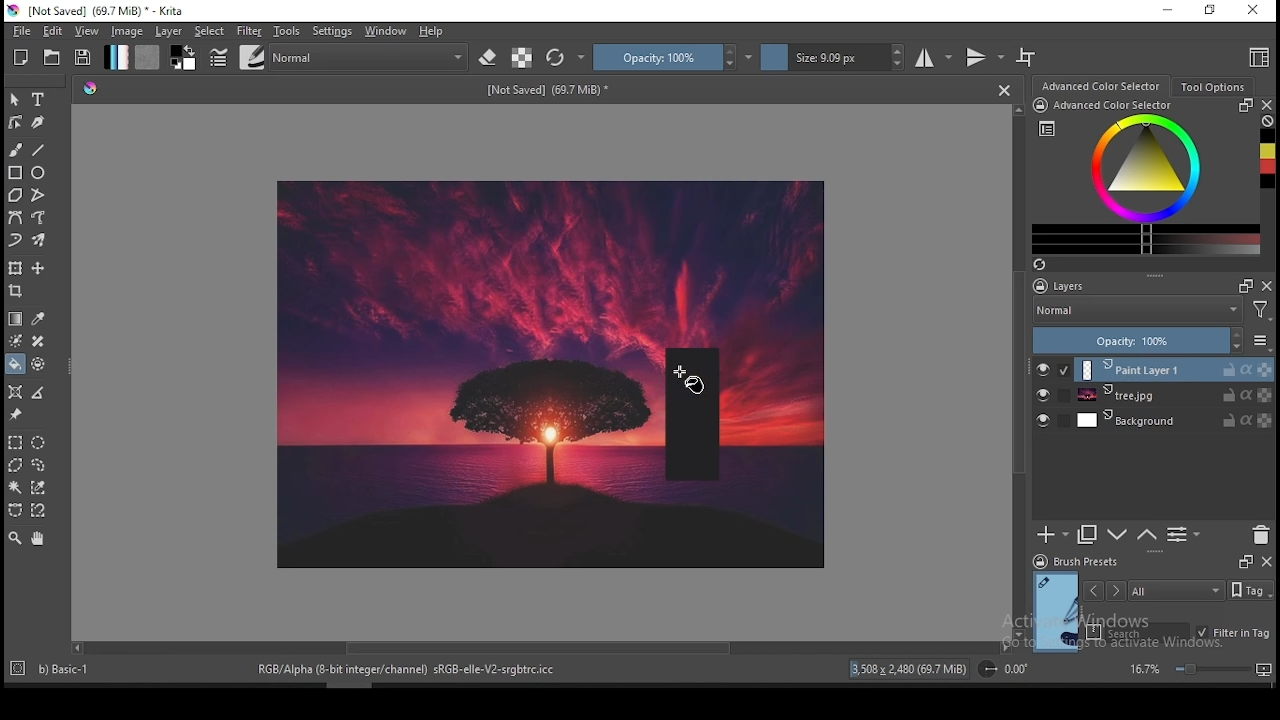 The width and height of the screenshot is (1280, 720). I want to click on brush settings, so click(217, 56).